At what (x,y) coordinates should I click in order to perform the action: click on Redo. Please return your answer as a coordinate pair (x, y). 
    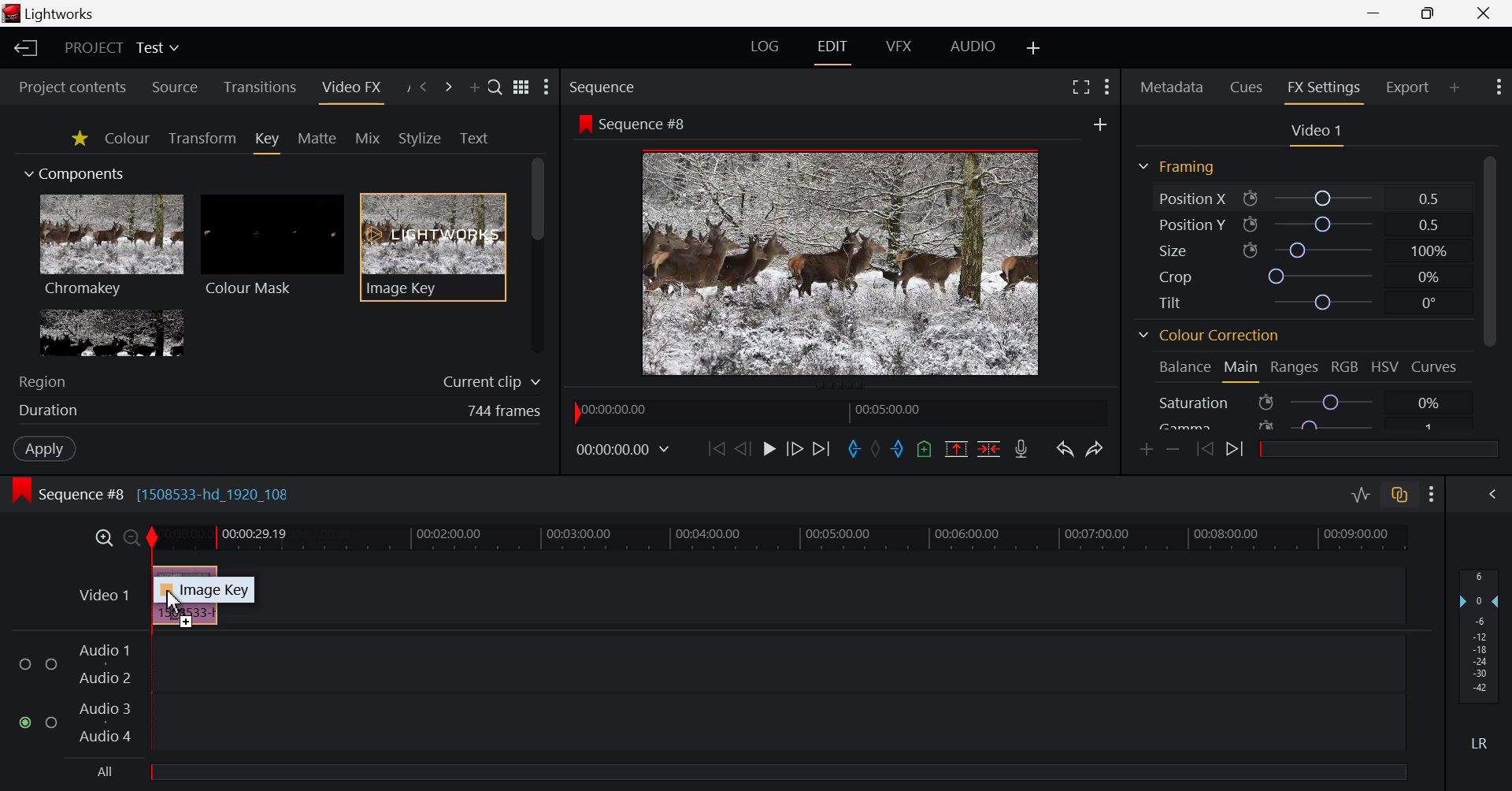
    Looking at the image, I should click on (1095, 450).